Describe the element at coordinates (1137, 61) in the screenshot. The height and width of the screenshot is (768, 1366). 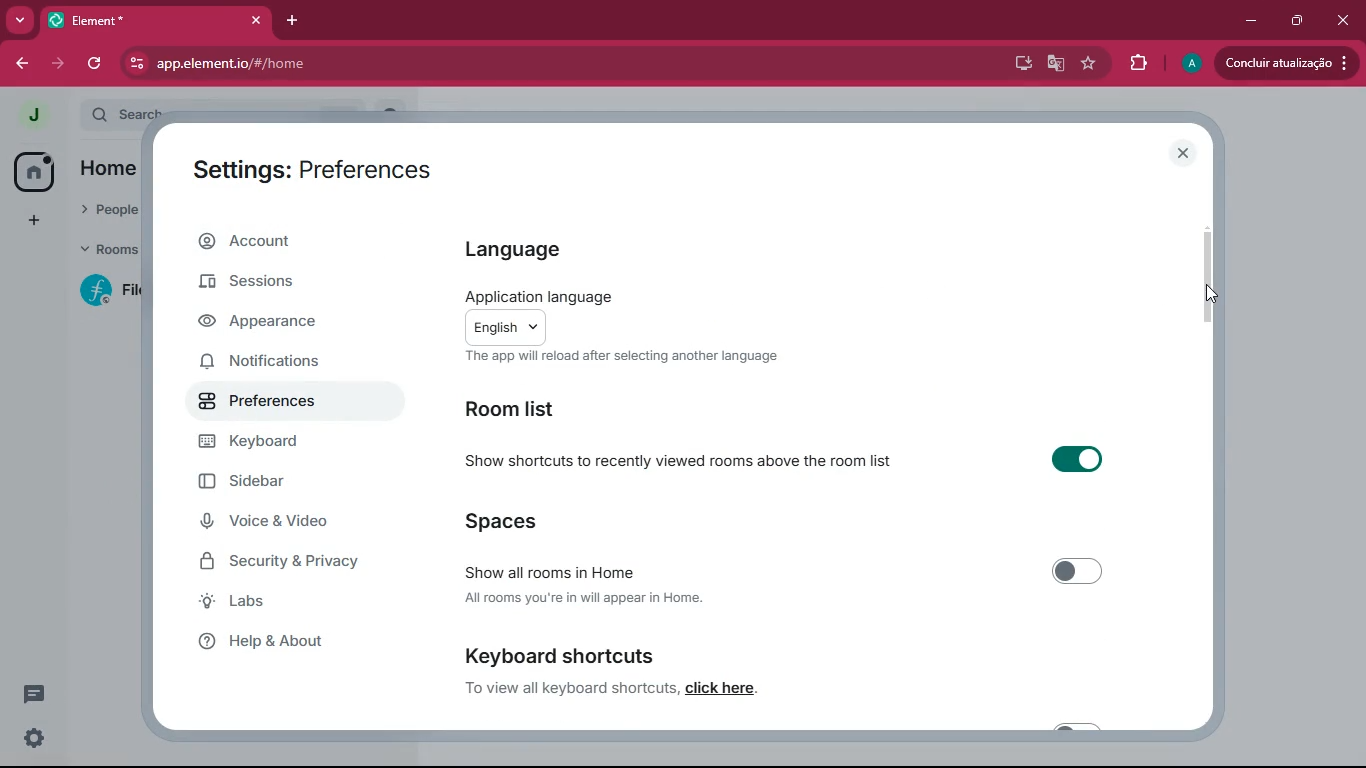
I see `extensions` at that location.